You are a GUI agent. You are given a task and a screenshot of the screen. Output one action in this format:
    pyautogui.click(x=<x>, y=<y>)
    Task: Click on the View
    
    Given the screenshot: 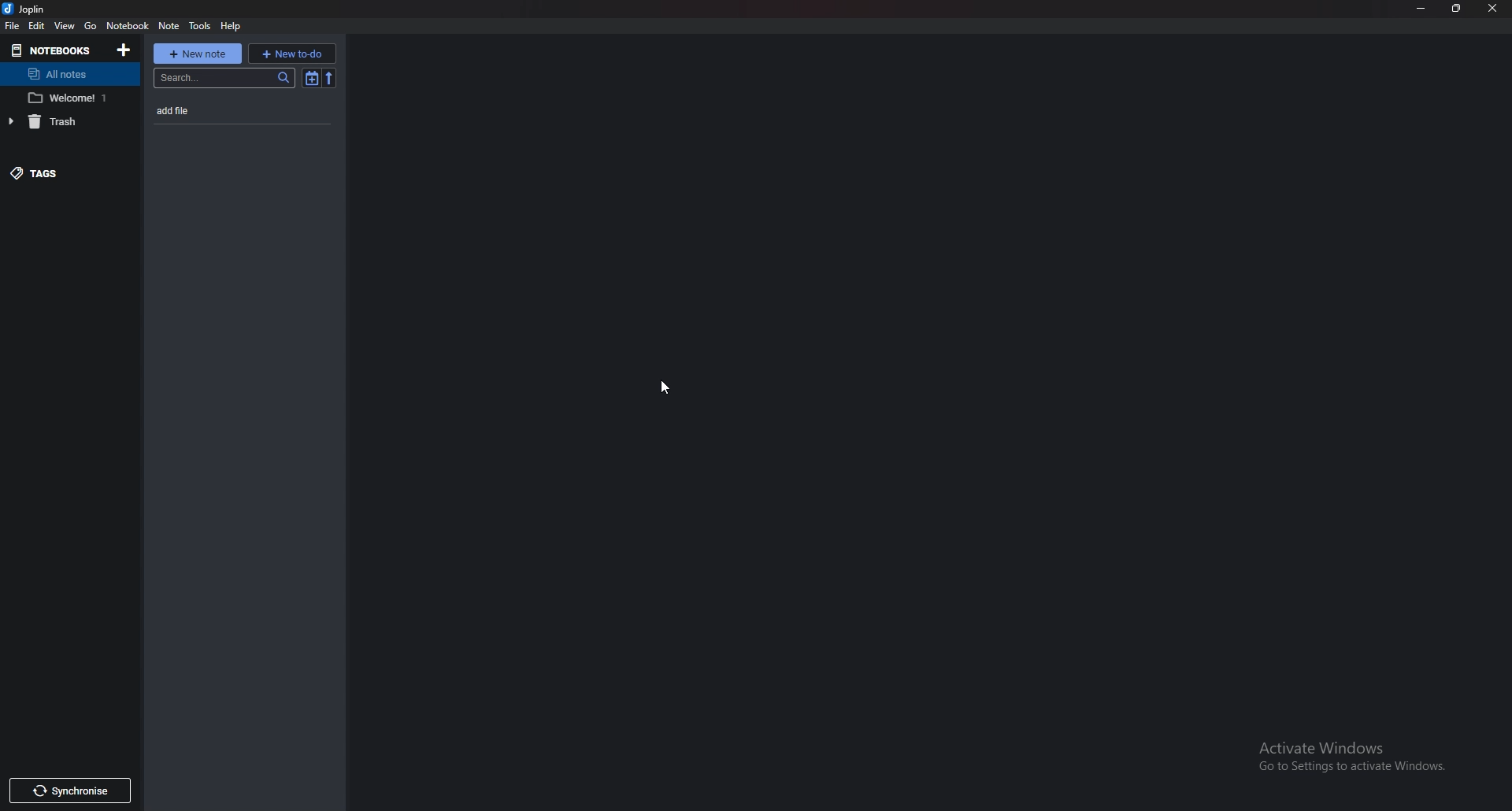 What is the action you would take?
    pyautogui.click(x=65, y=26)
    